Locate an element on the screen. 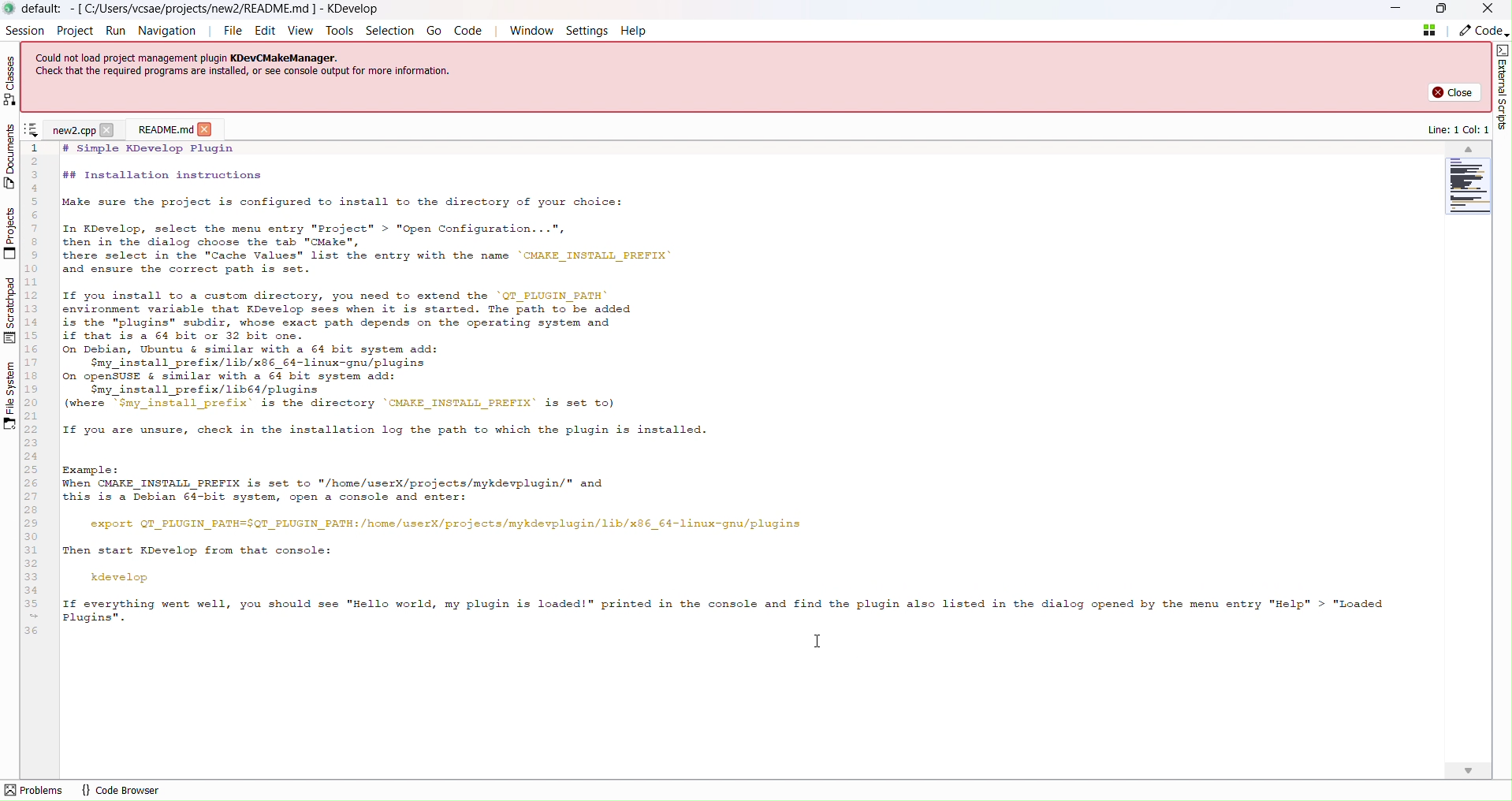  go is located at coordinates (435, 30).